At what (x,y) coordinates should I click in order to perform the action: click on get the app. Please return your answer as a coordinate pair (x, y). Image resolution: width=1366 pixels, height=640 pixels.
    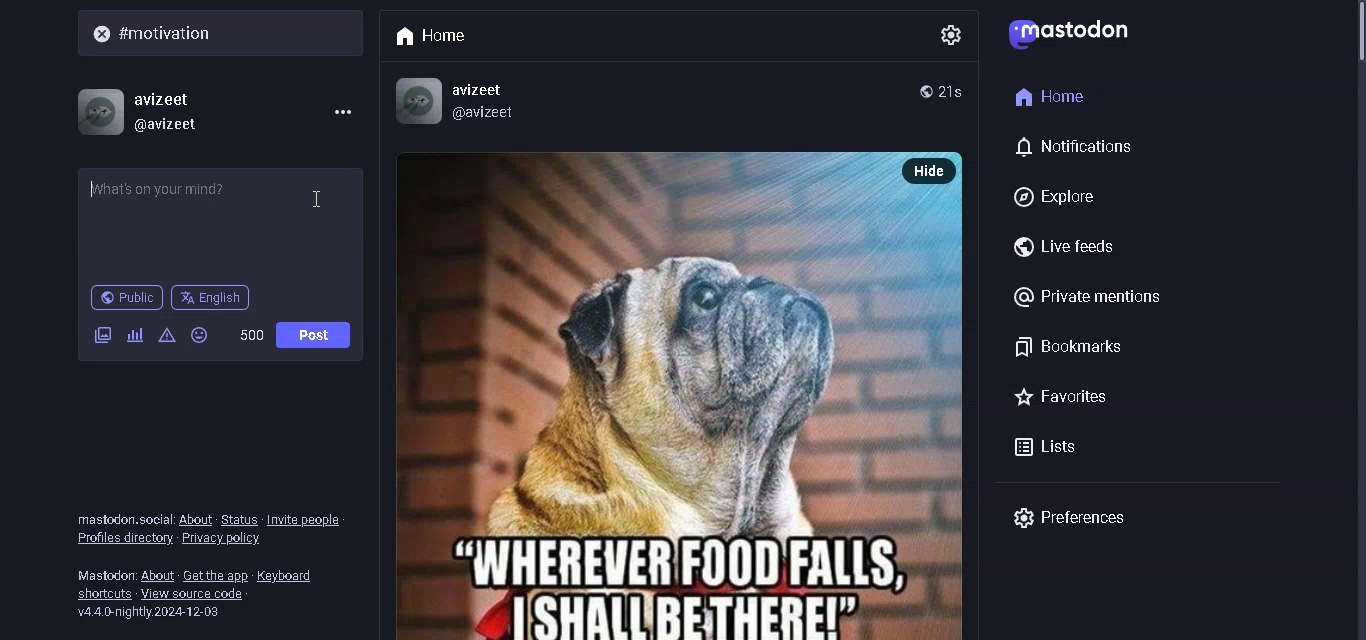
    Looking at the image, I should click on (216, 573).